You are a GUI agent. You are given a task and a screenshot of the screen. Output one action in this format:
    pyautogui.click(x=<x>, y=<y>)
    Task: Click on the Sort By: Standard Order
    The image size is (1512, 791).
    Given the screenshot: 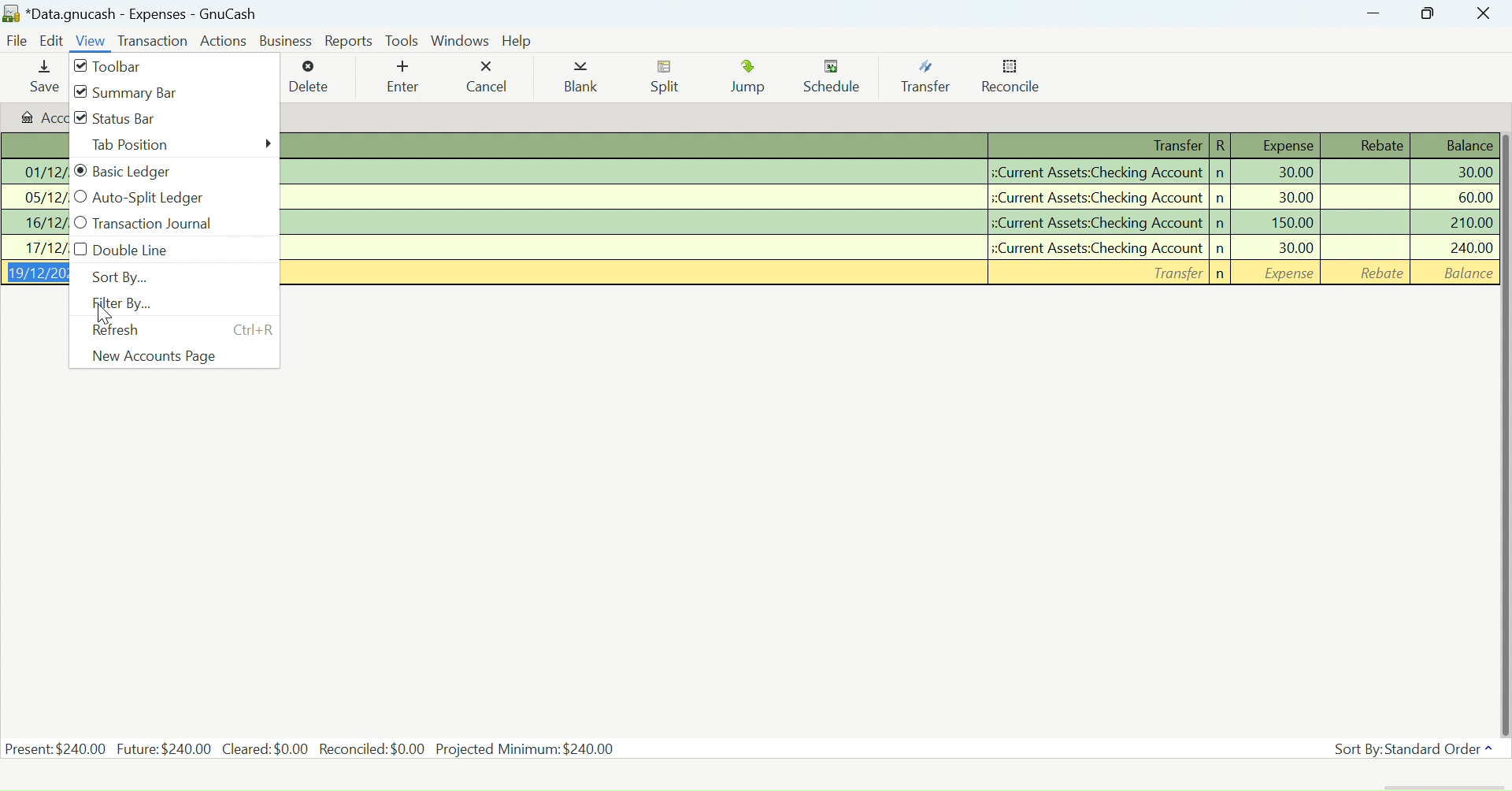 What is the action you would take?
    pyautogui.click(x=1410, y=749)
    